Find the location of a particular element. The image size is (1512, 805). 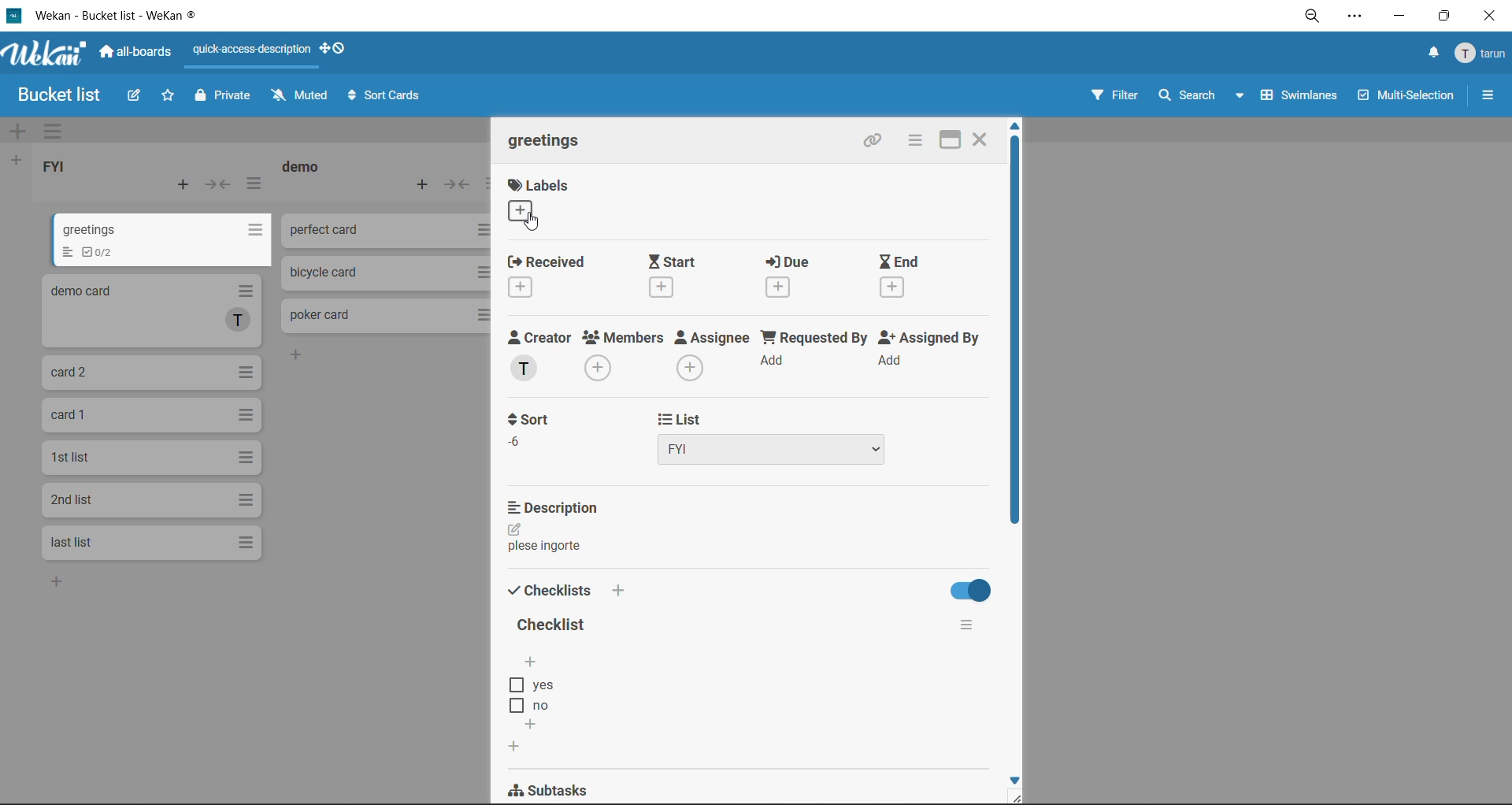

card 5 is located at coordinates (150, 458).